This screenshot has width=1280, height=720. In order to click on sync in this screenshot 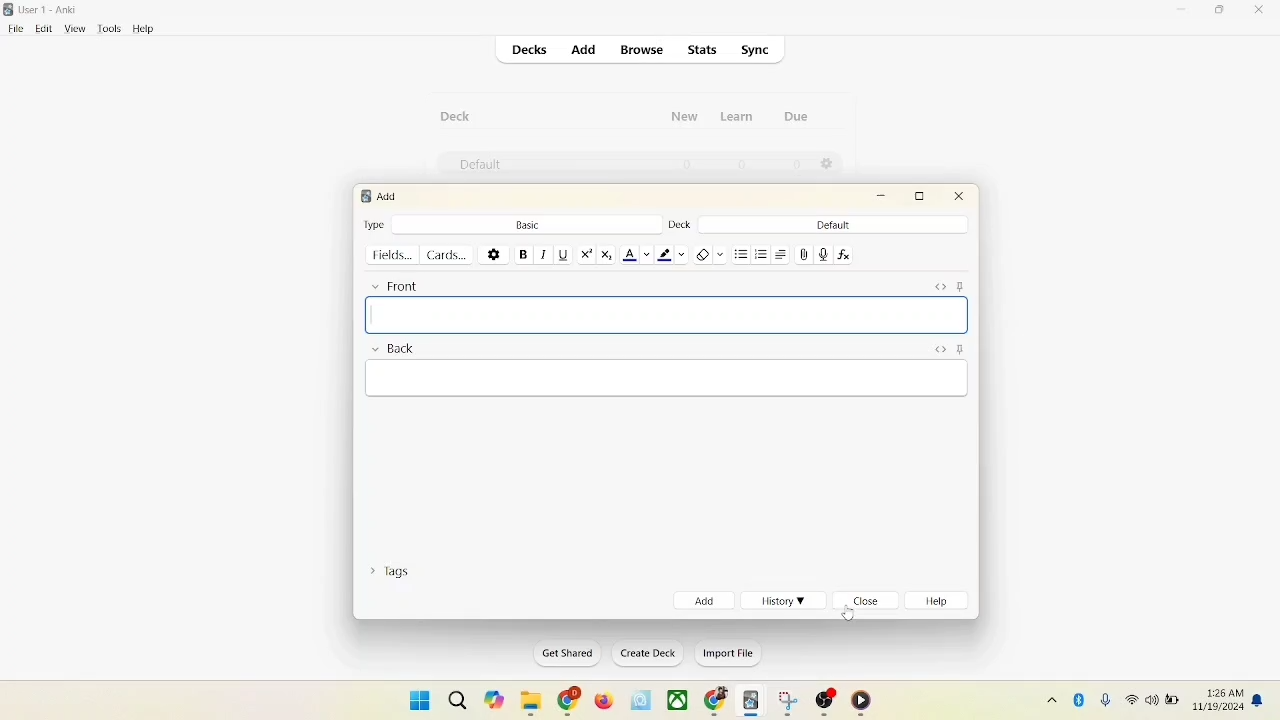, I will do `click(756, 50)`.